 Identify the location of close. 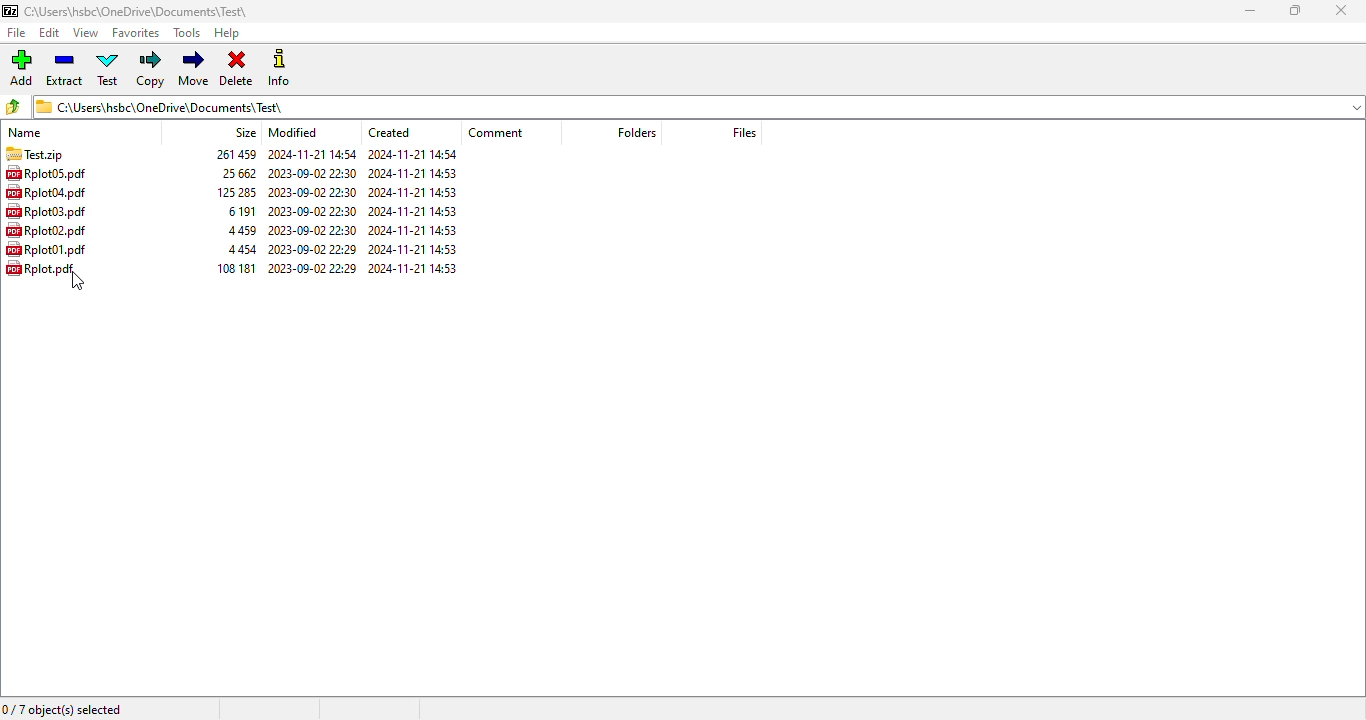
(1341, 10).